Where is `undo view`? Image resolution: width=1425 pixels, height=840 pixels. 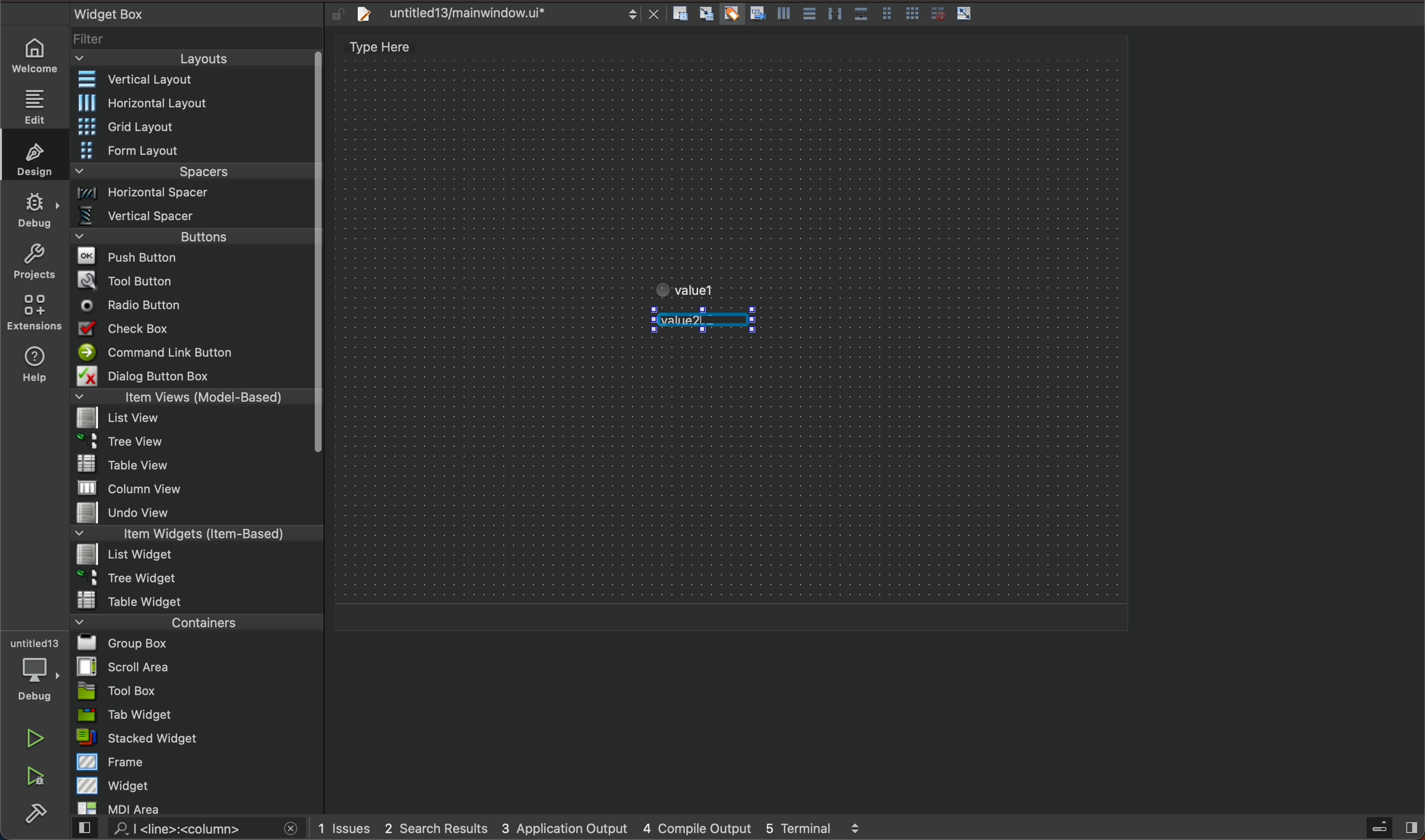
undo view is located at coordinates (197, 512).